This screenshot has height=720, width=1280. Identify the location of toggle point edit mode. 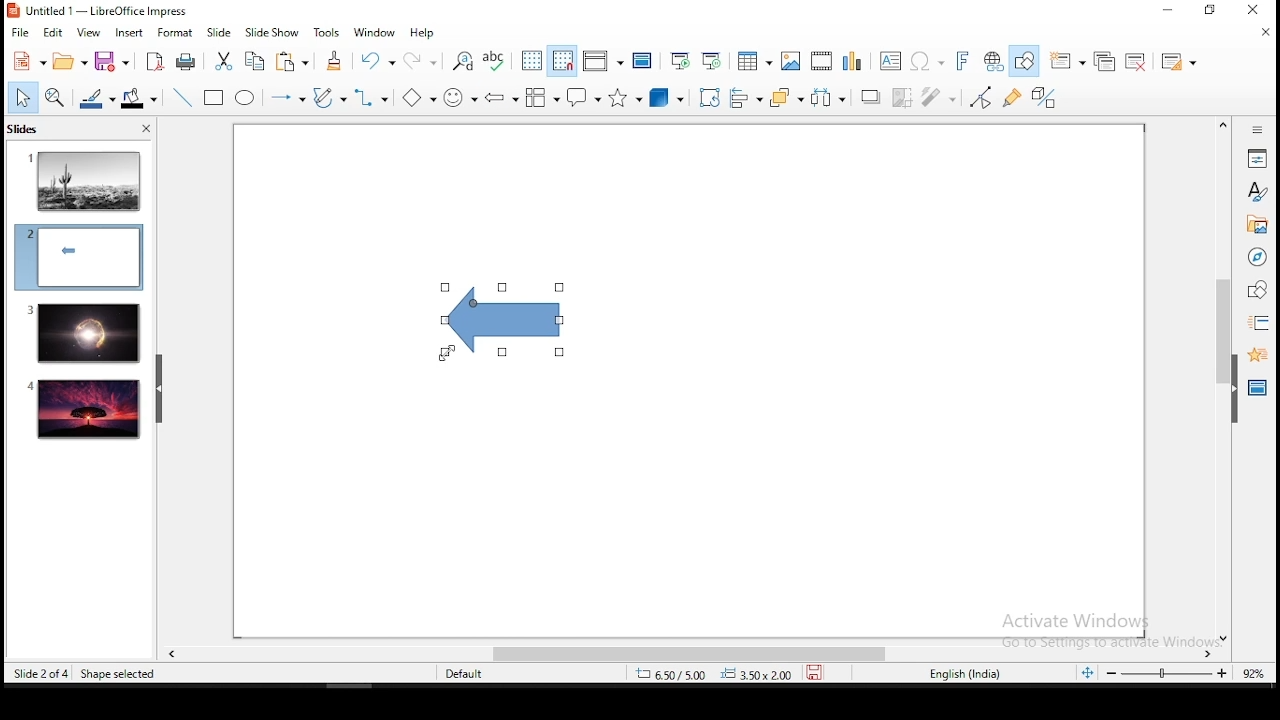
(981, 99).